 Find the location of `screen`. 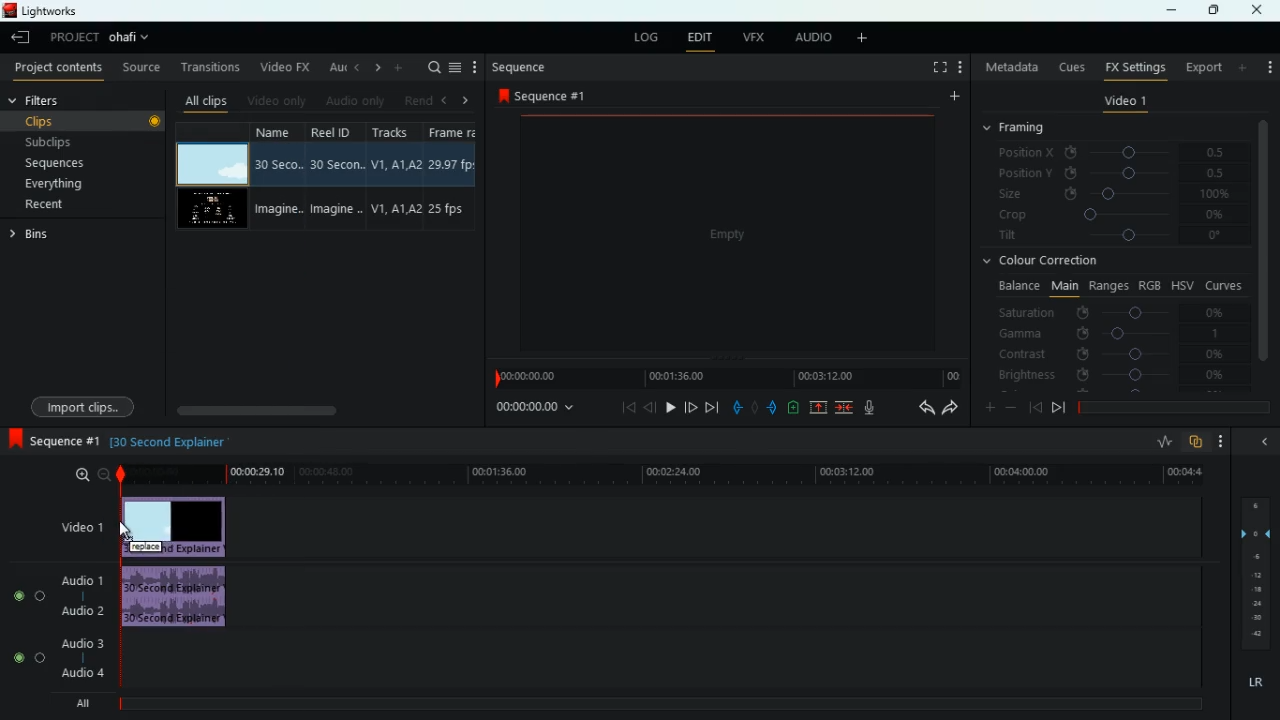

screen is located at coordinates (935, 67).